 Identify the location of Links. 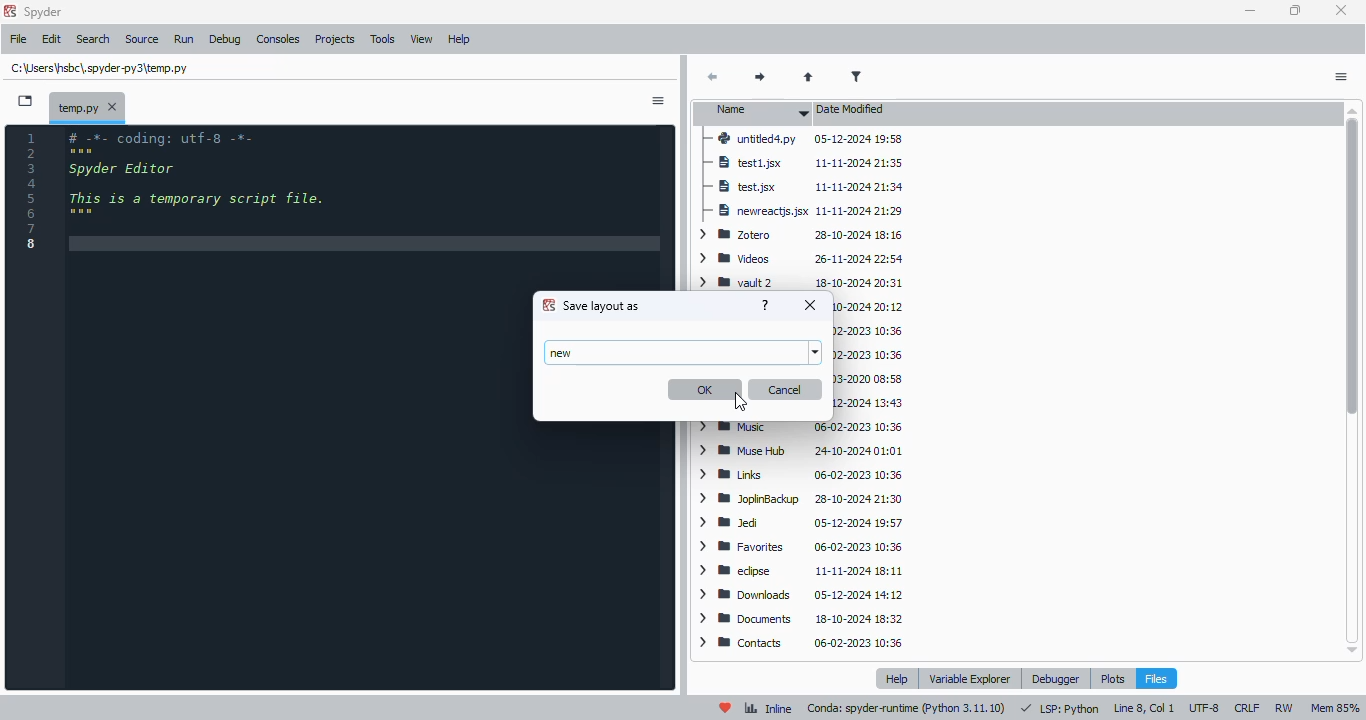
(805, 475).